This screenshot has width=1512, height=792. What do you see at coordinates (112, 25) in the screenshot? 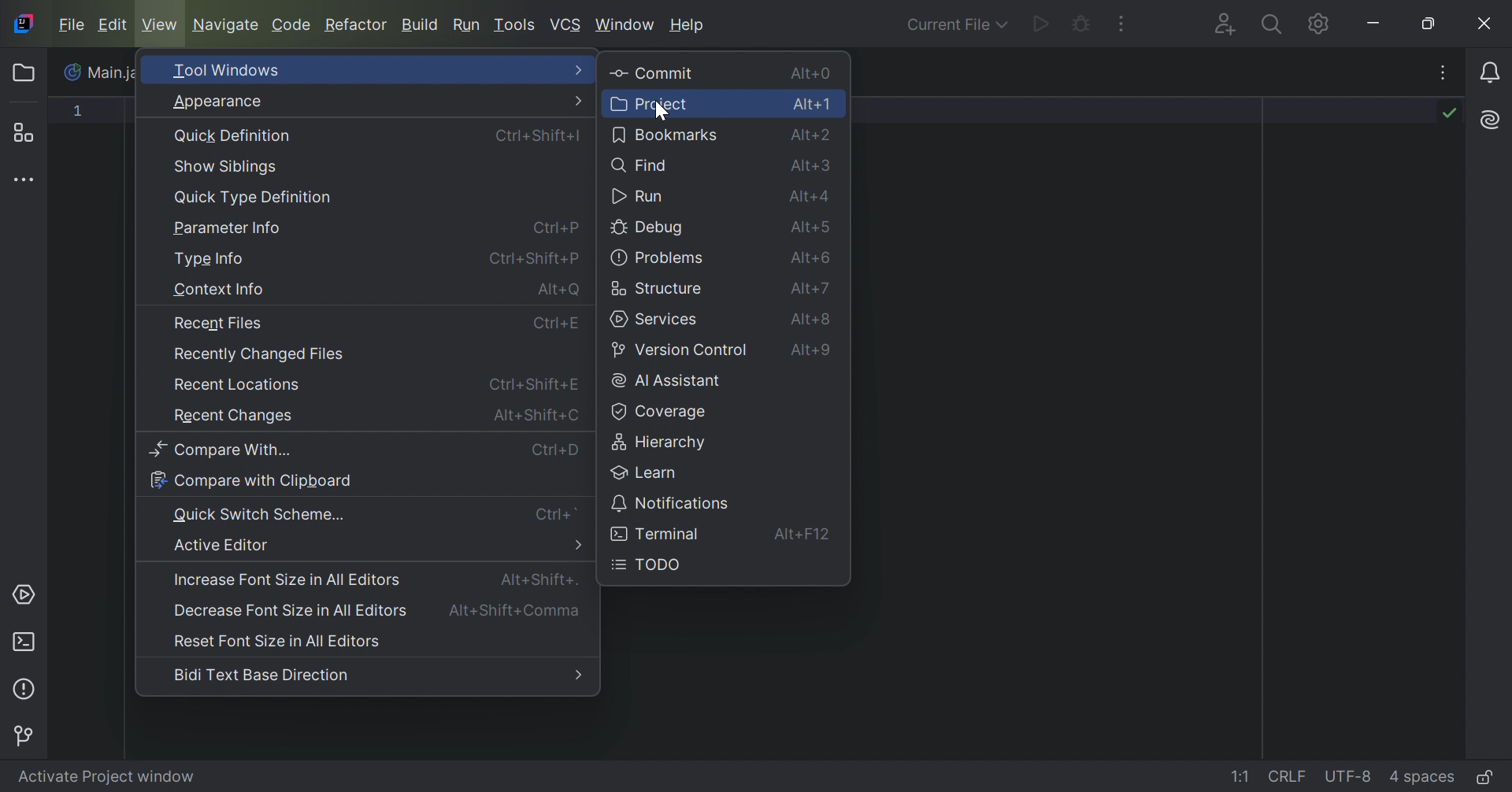
I see `Edit` at bounding box center [112, 25].